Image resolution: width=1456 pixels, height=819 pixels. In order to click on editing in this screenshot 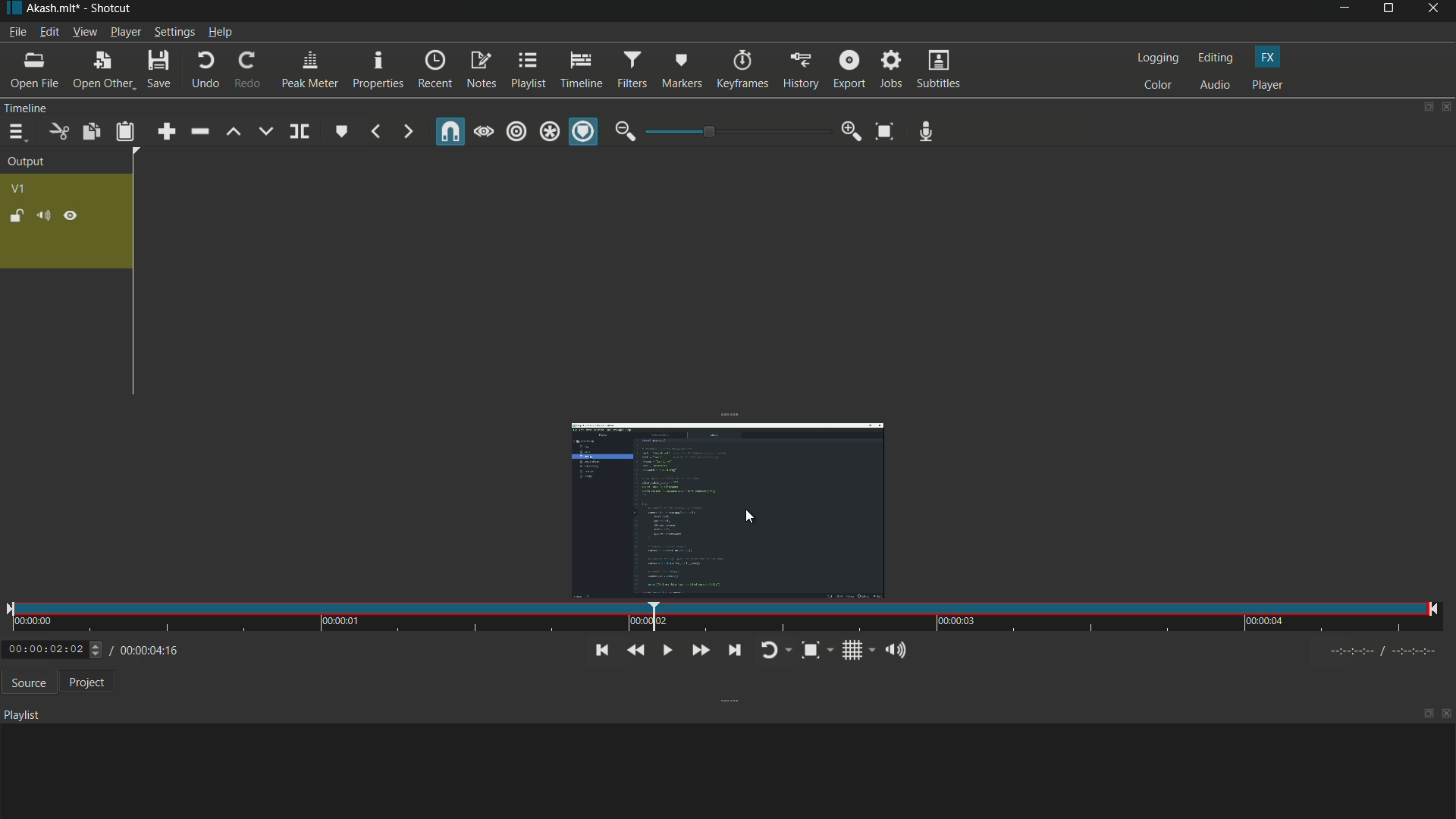, I will do `click(1214, 58)`.